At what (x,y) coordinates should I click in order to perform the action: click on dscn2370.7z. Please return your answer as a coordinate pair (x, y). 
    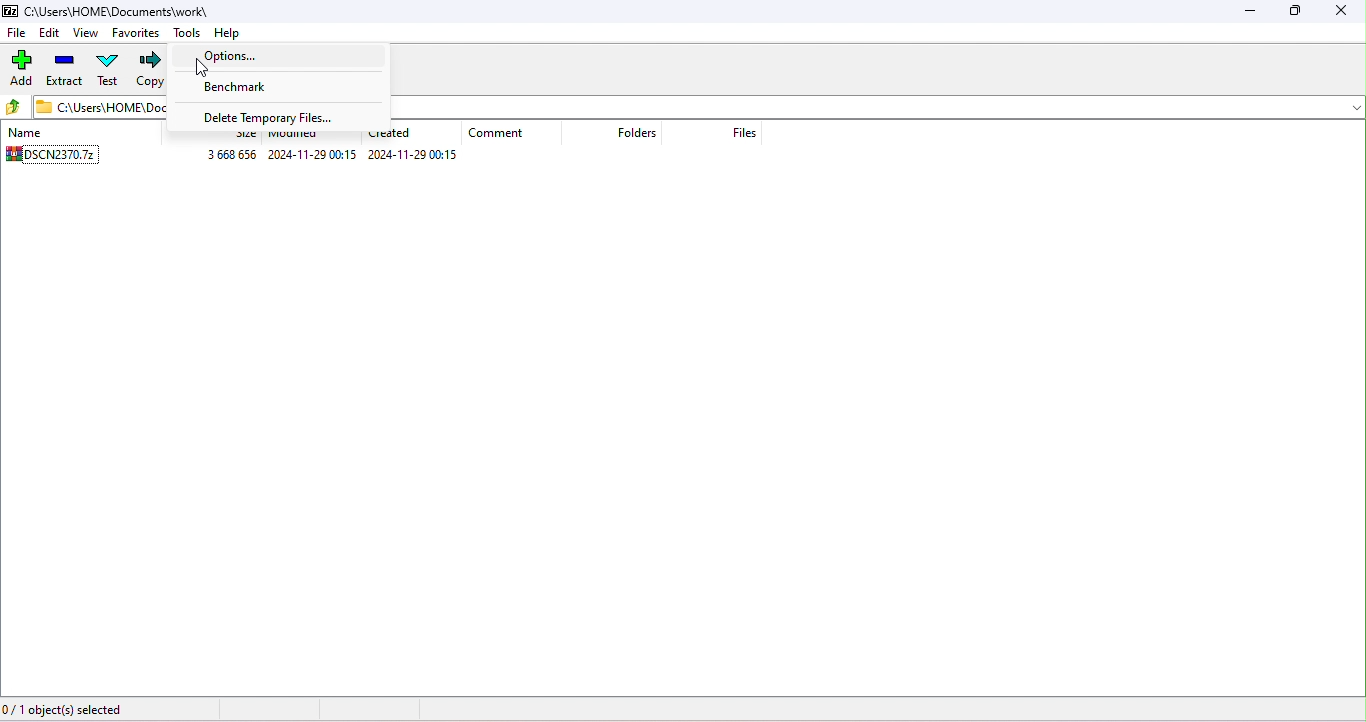
    Looking at the image, I should click on (51, 160).